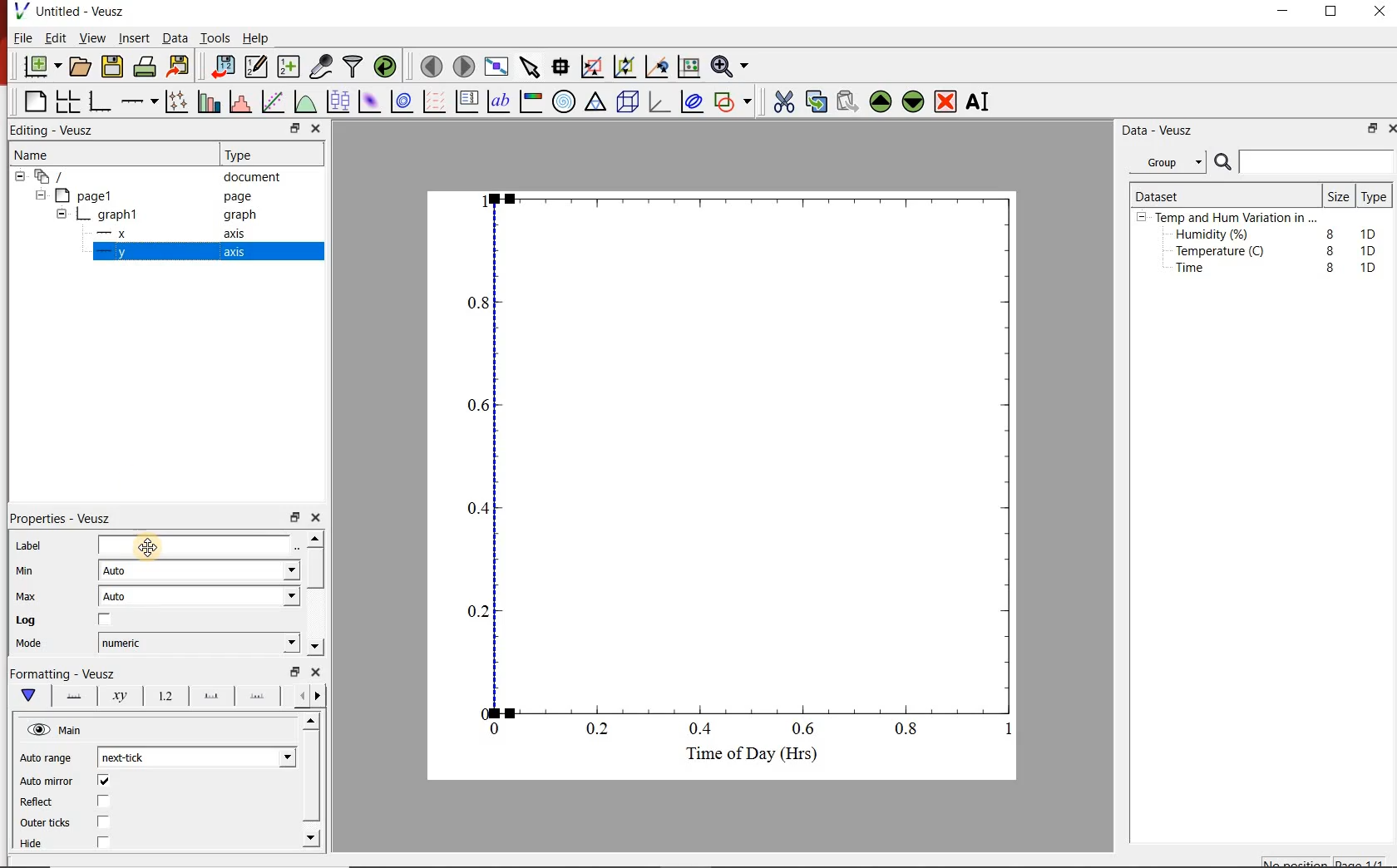 This screenshot has width=1397, height=868. What do you see at coordinates (127, 643) in the screenshot?
I see `datetime` at bounding box center [127, 643].